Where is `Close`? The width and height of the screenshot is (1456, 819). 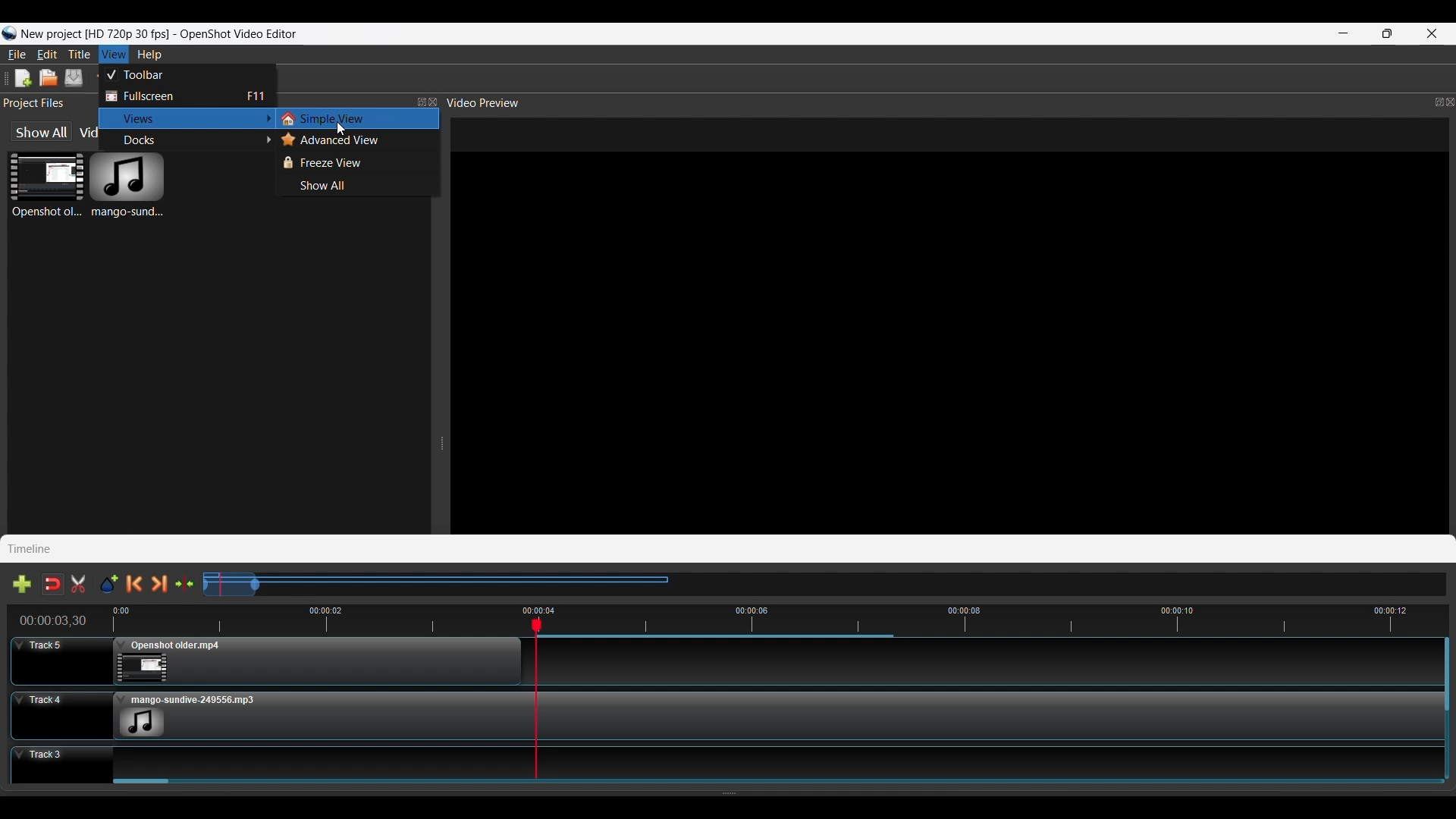 Close is located at coordinates (1447, 104).